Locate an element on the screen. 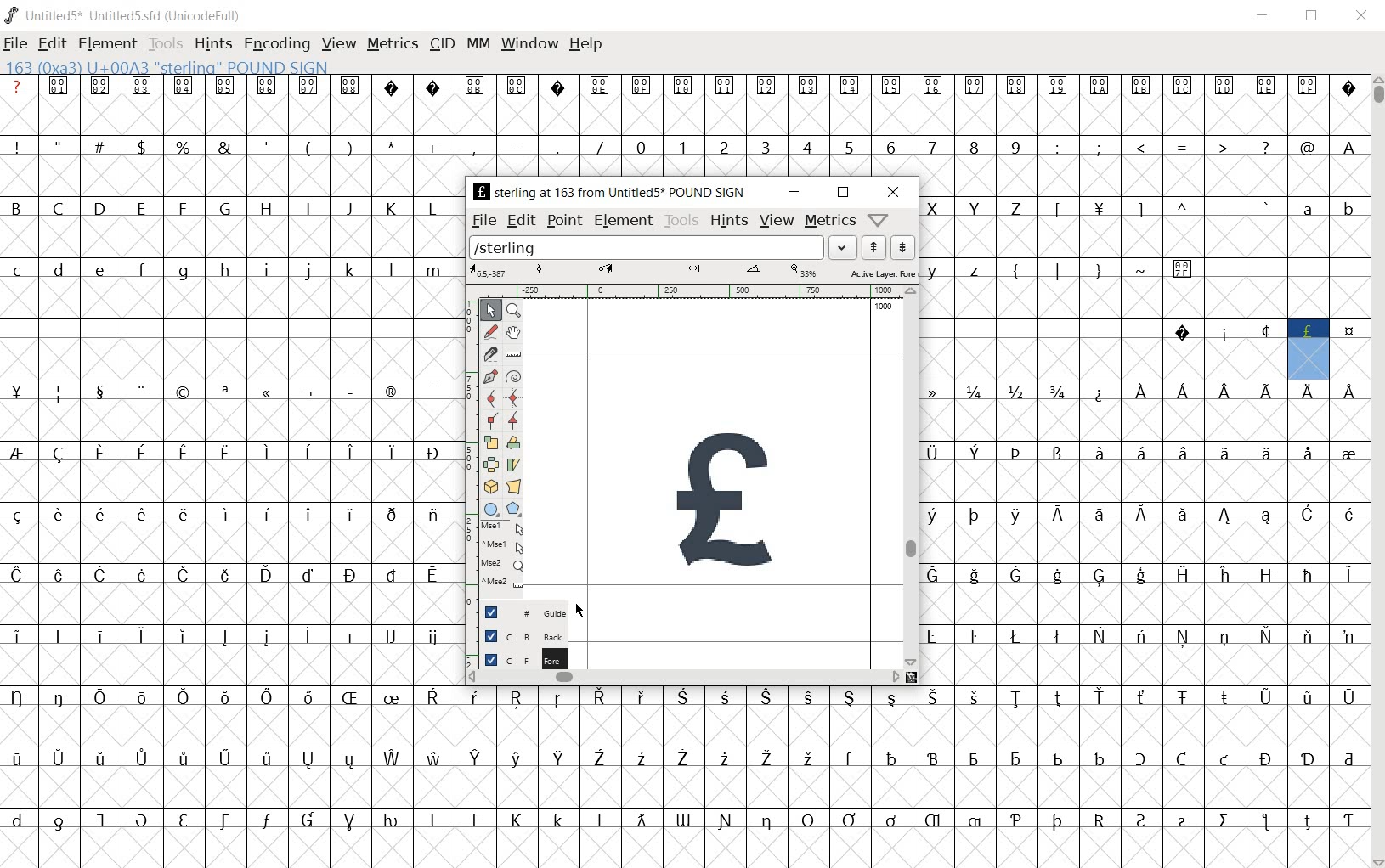 This screenshot has width=1385, height=868. Symbol is located at coordinates (98, 391).